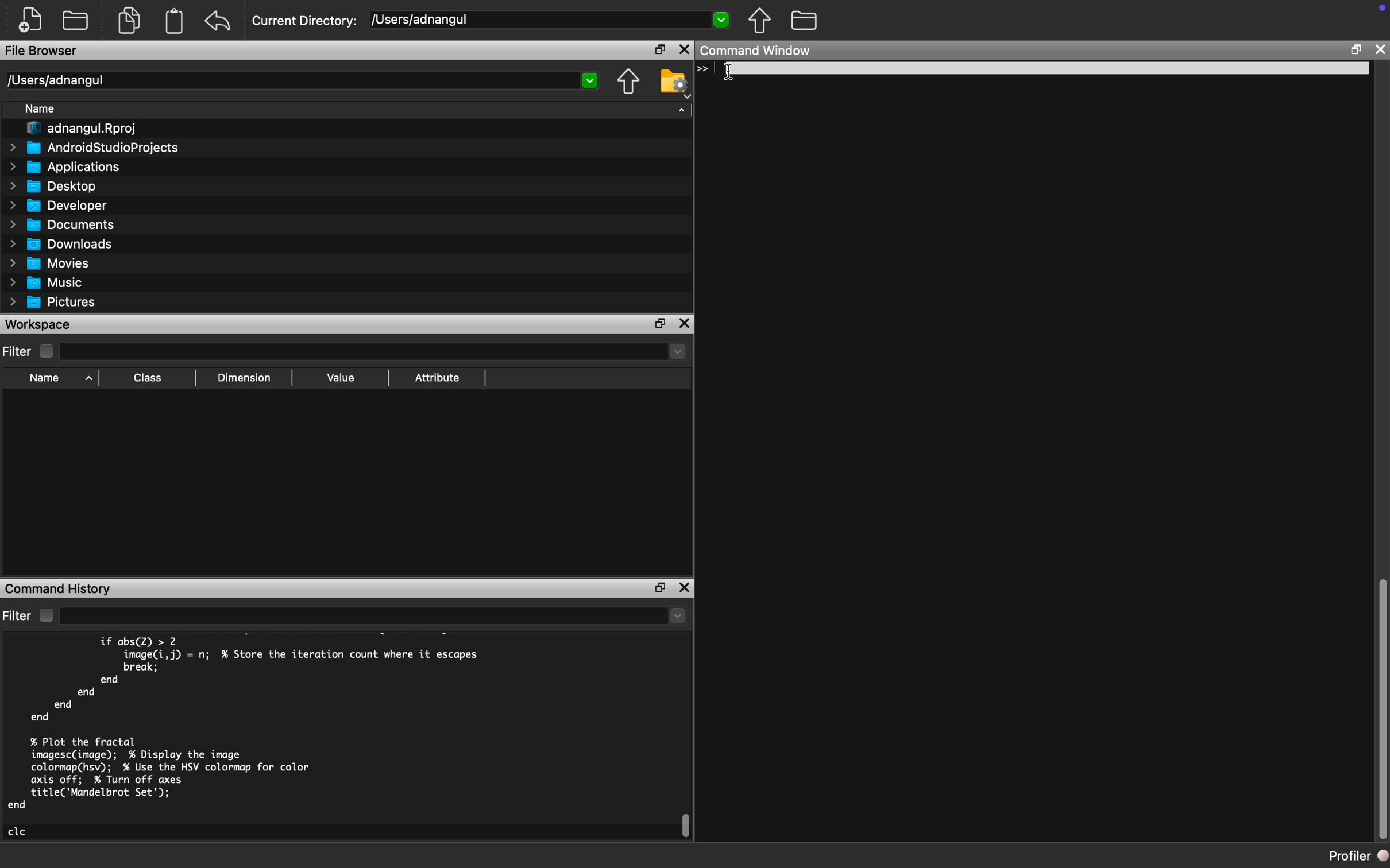 This screenshot has height=868, width=1390. What do you see at coordinates (758, 51) in the screenshot?
I see `Command Window` at bounding box center [758, 51].